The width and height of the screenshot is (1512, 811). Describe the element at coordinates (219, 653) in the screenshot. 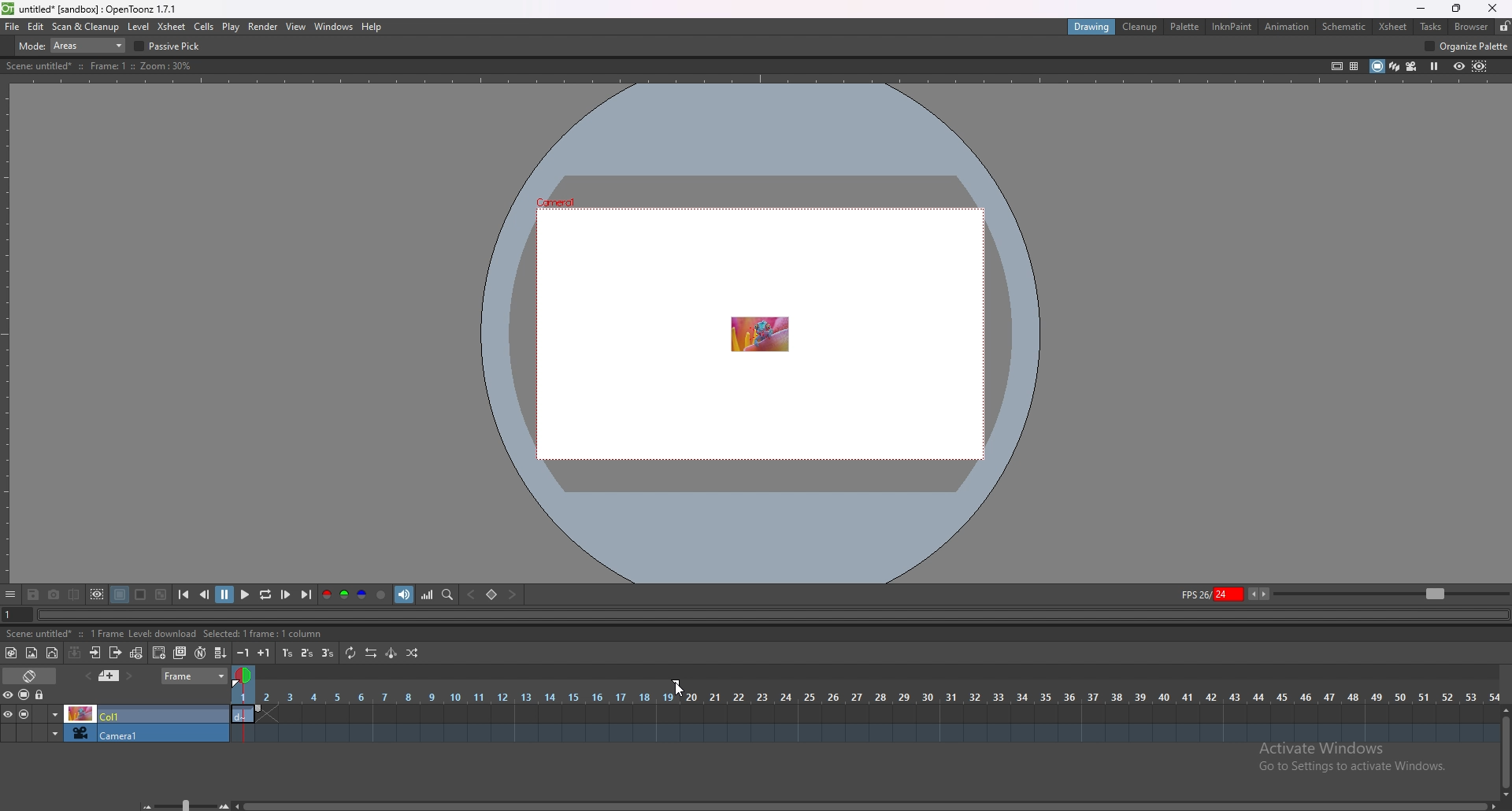

I see `fill in empty cells` at that location.